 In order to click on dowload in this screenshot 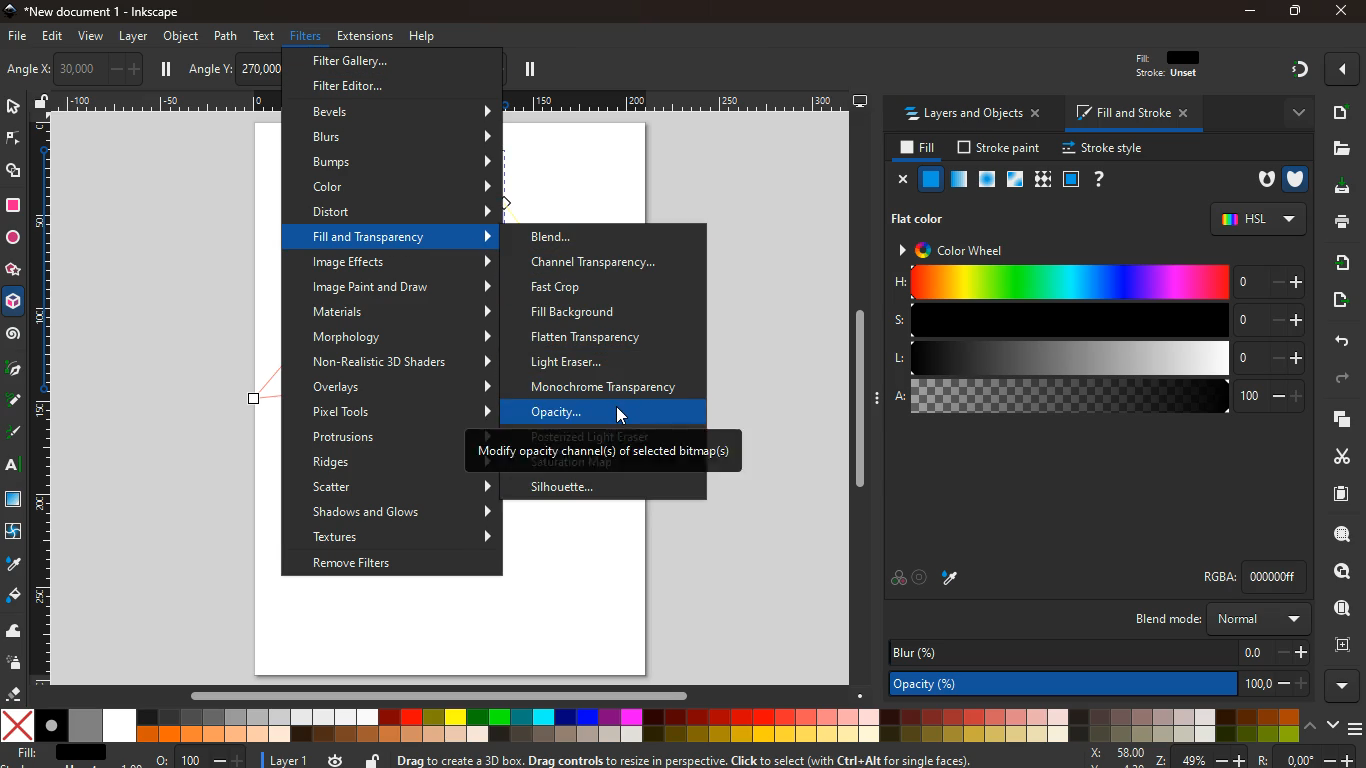, I will do `click(1338, 187)`.